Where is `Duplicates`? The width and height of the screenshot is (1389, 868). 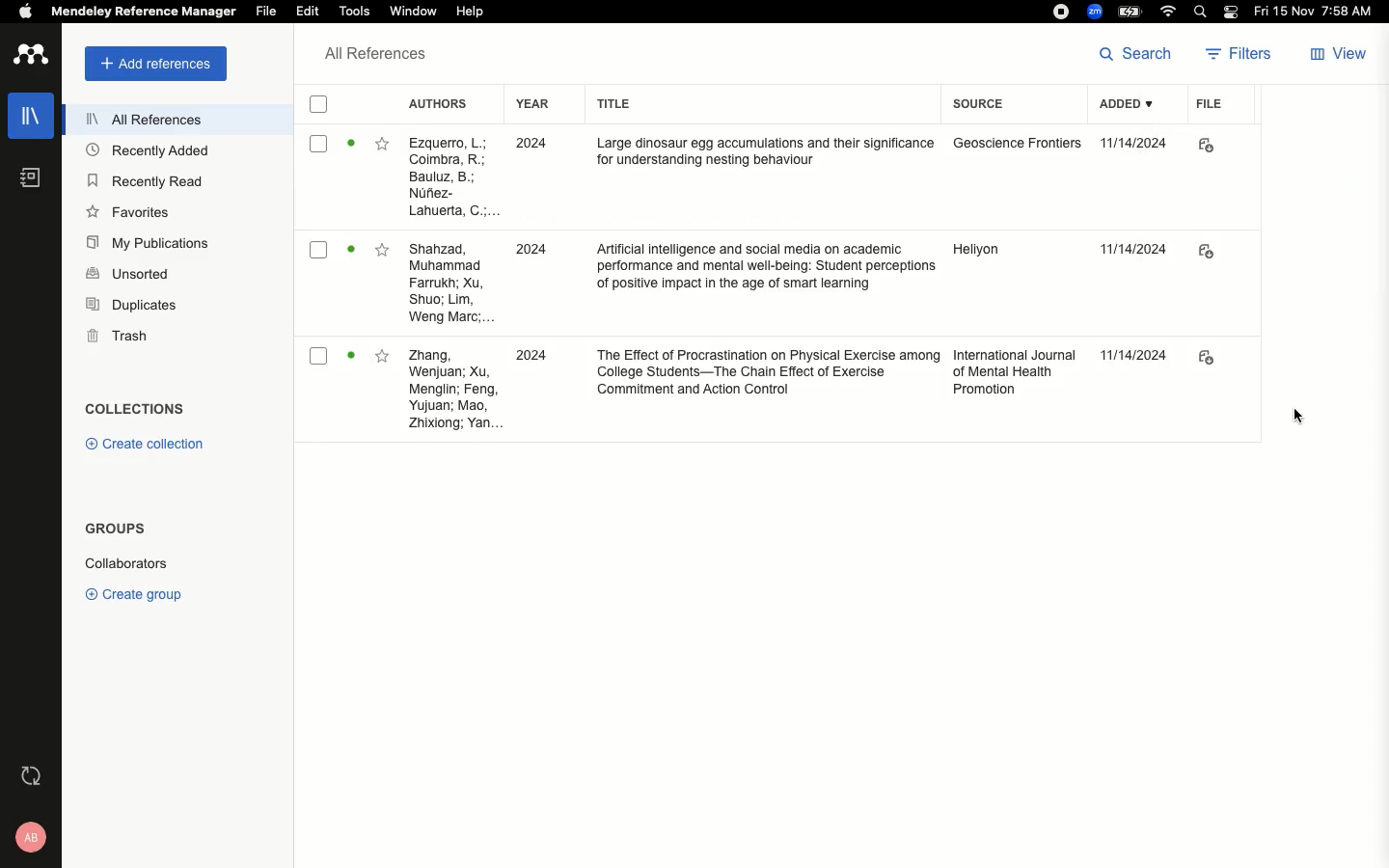
Duplicates is located at coordinates (129, 307).